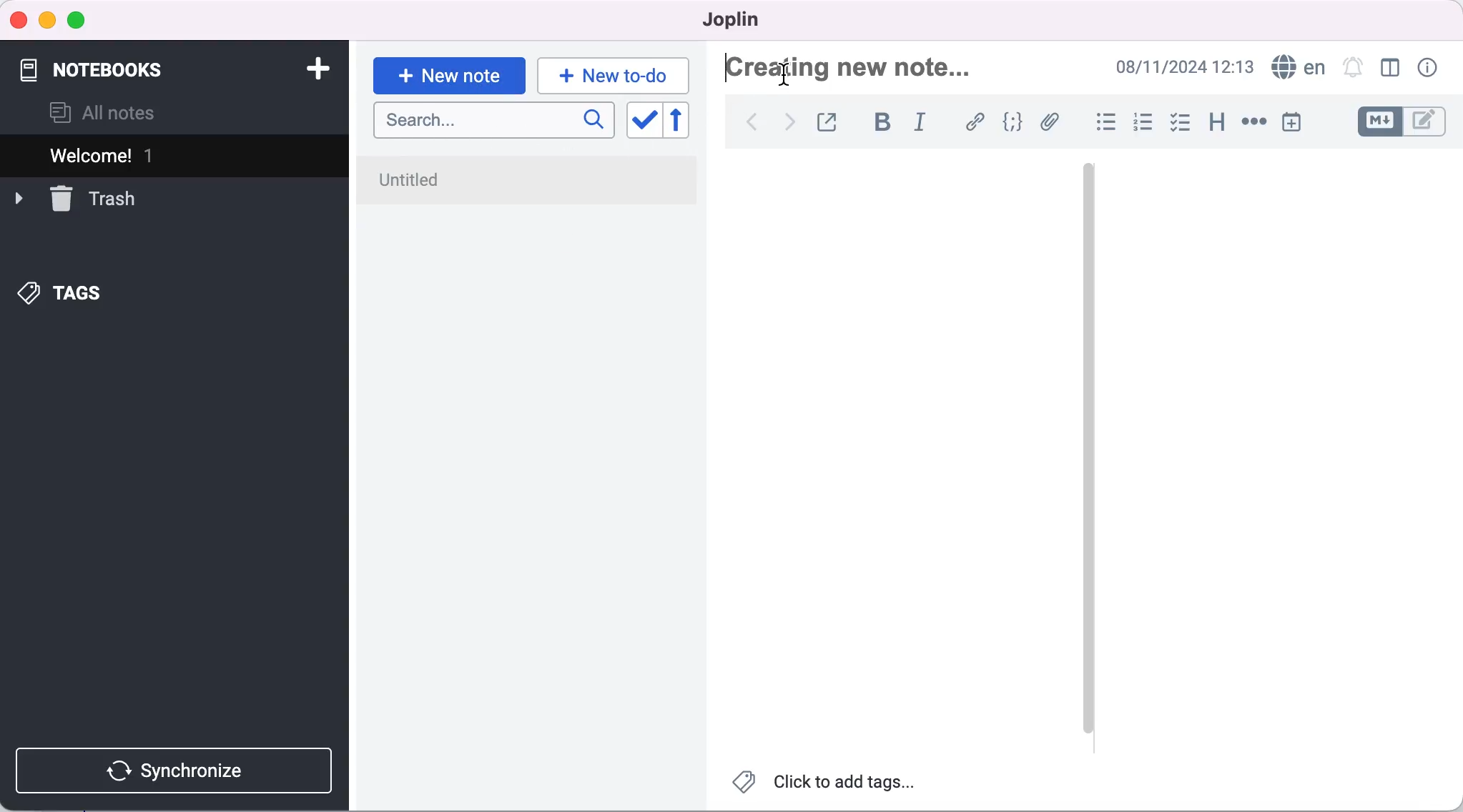 Image resolution: width=1463 pixels, height=812 pixels. Describe the element at coordinates (448, 74) in the screenshot. I see `new note` at that location.